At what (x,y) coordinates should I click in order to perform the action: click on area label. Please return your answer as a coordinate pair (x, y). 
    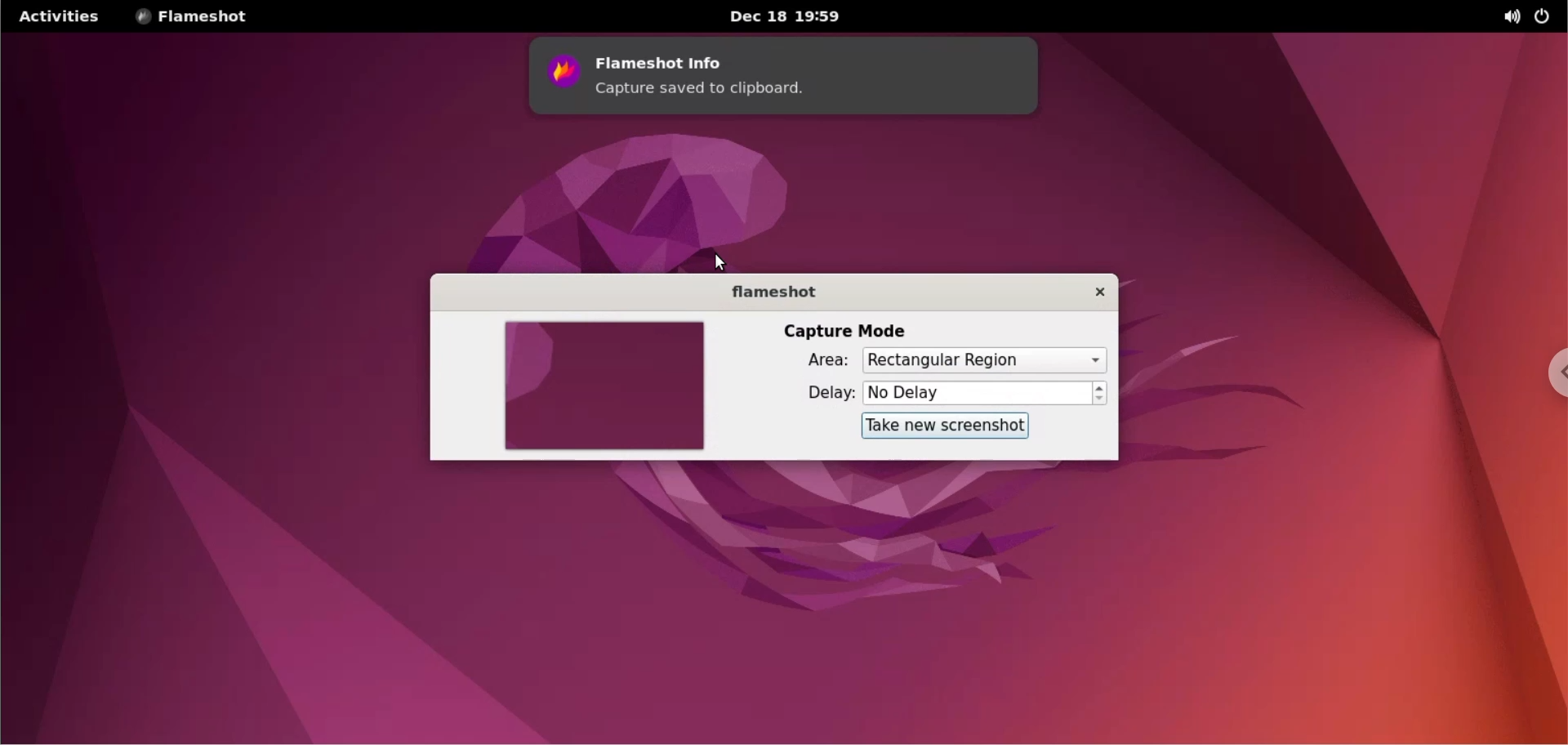
    Looking at the image, I should click on (812, 361).